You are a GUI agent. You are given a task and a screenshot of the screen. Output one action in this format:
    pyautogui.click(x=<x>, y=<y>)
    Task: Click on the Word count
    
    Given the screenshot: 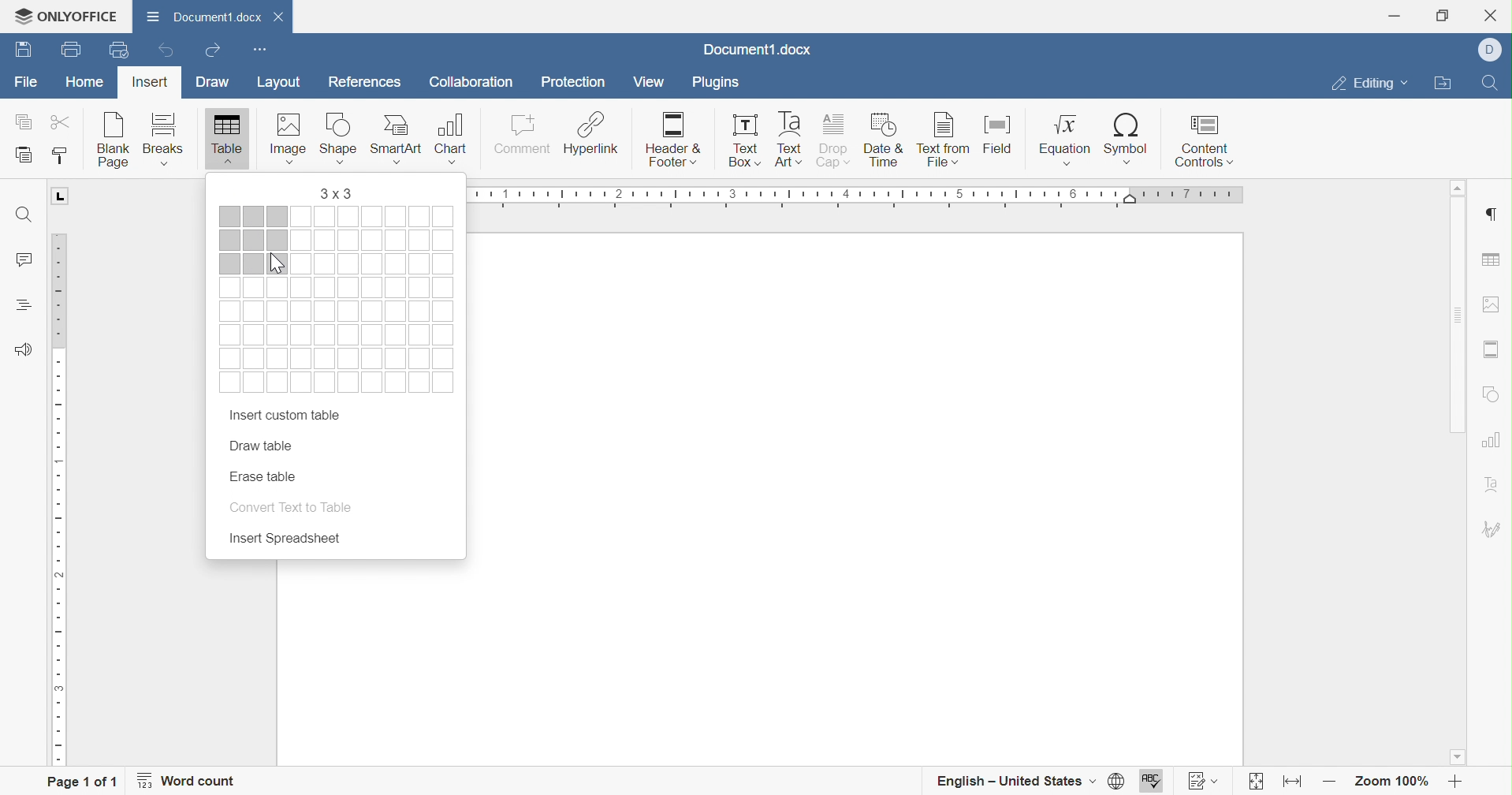 What is the action you would take?
    pyautogui.click(x=191, y=780)
    